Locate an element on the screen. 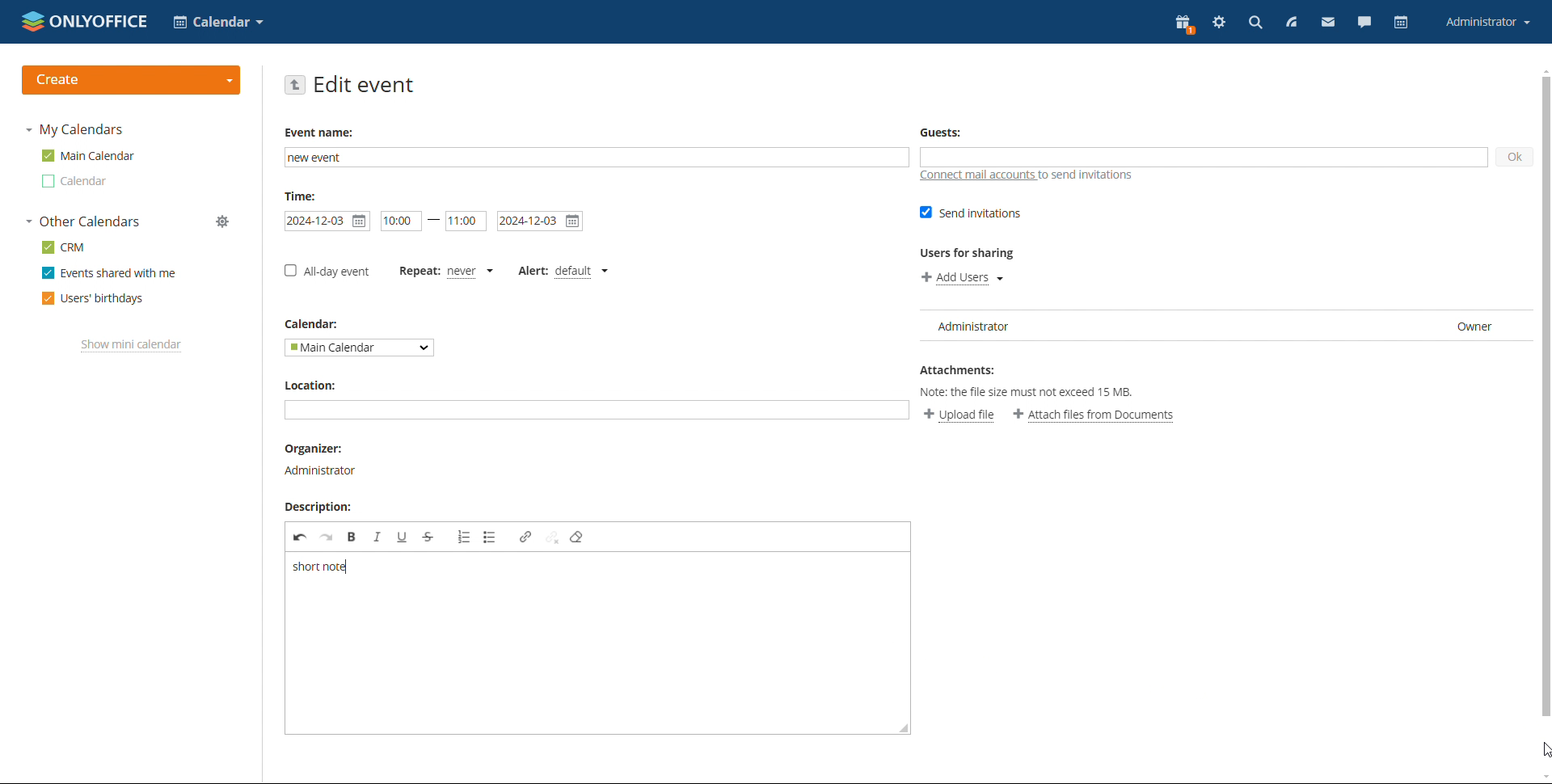  account is located at coordinates (1488, 21).